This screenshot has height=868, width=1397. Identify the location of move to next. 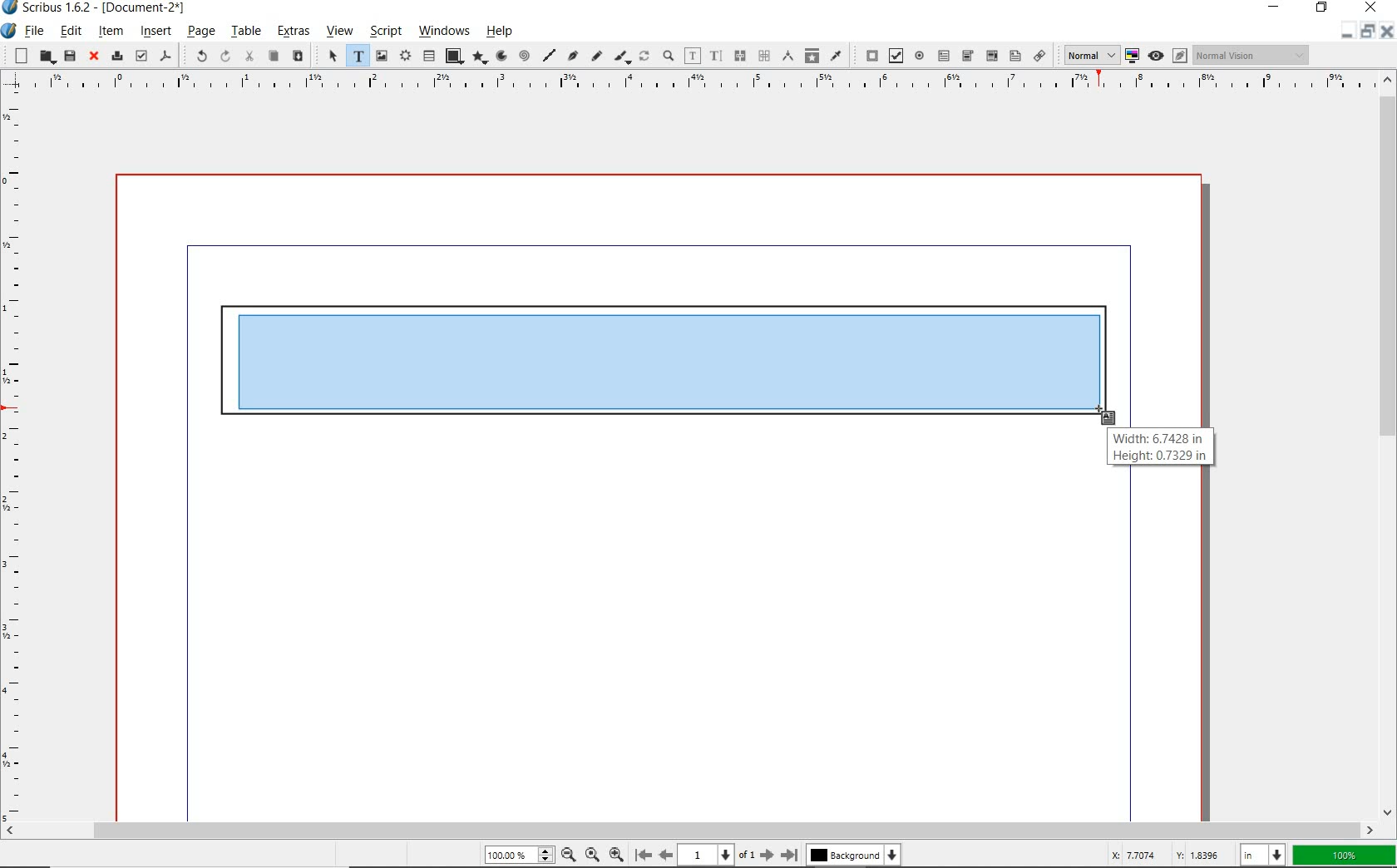
(768, 855).